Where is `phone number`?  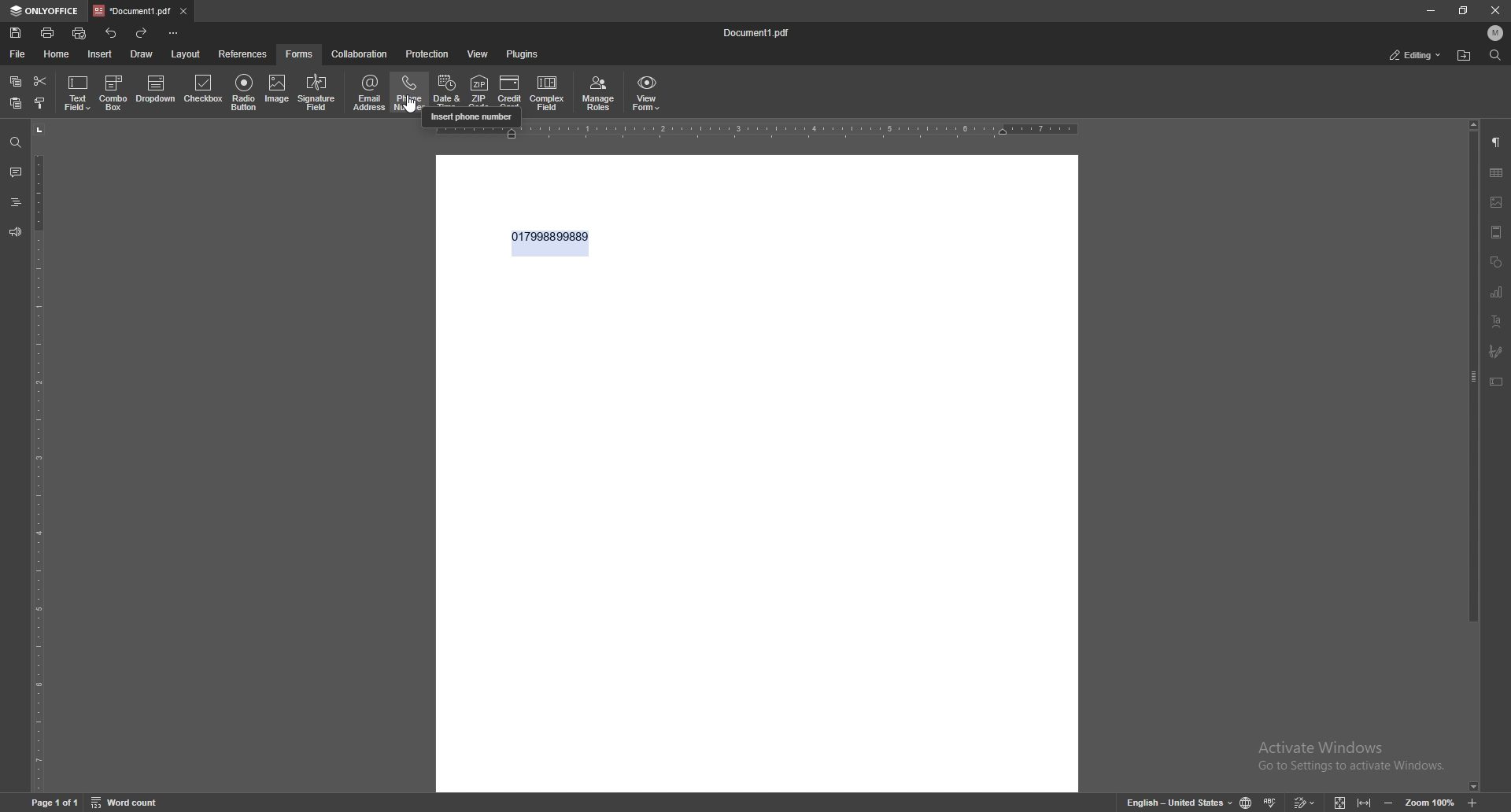 phone number is located at coordinates (410, 92).